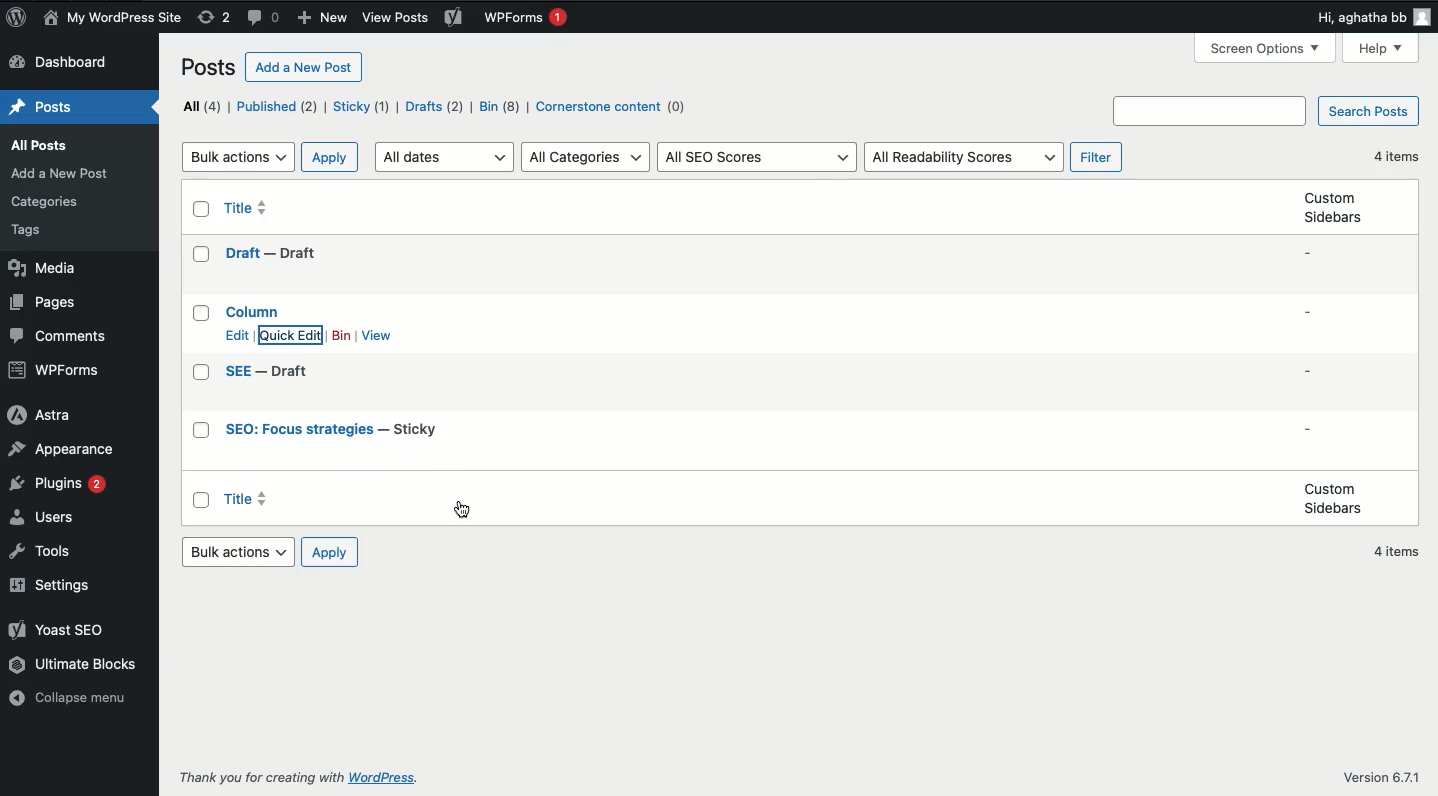 Image resolution: width=1438 pixels, height=796 pixels. I want to click on Dashboard, so click(70, 63).